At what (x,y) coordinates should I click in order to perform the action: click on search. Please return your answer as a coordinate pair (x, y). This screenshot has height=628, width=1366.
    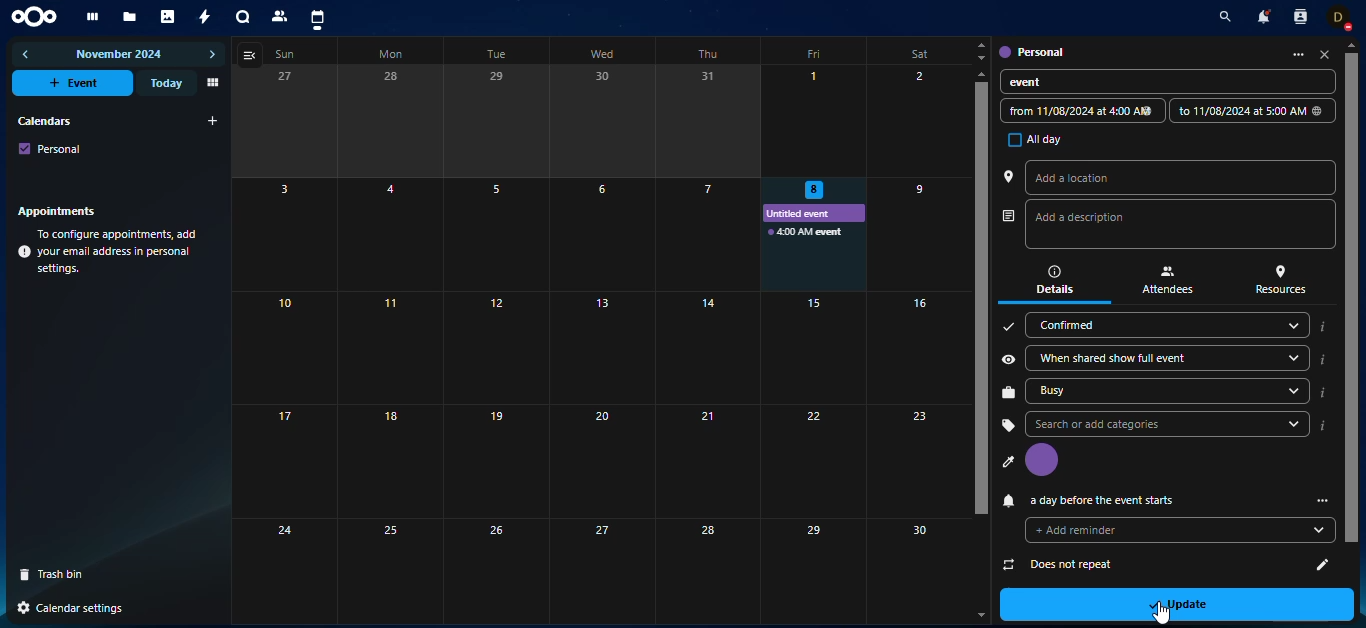
    Looking at the image, I should click on (1221, 18).